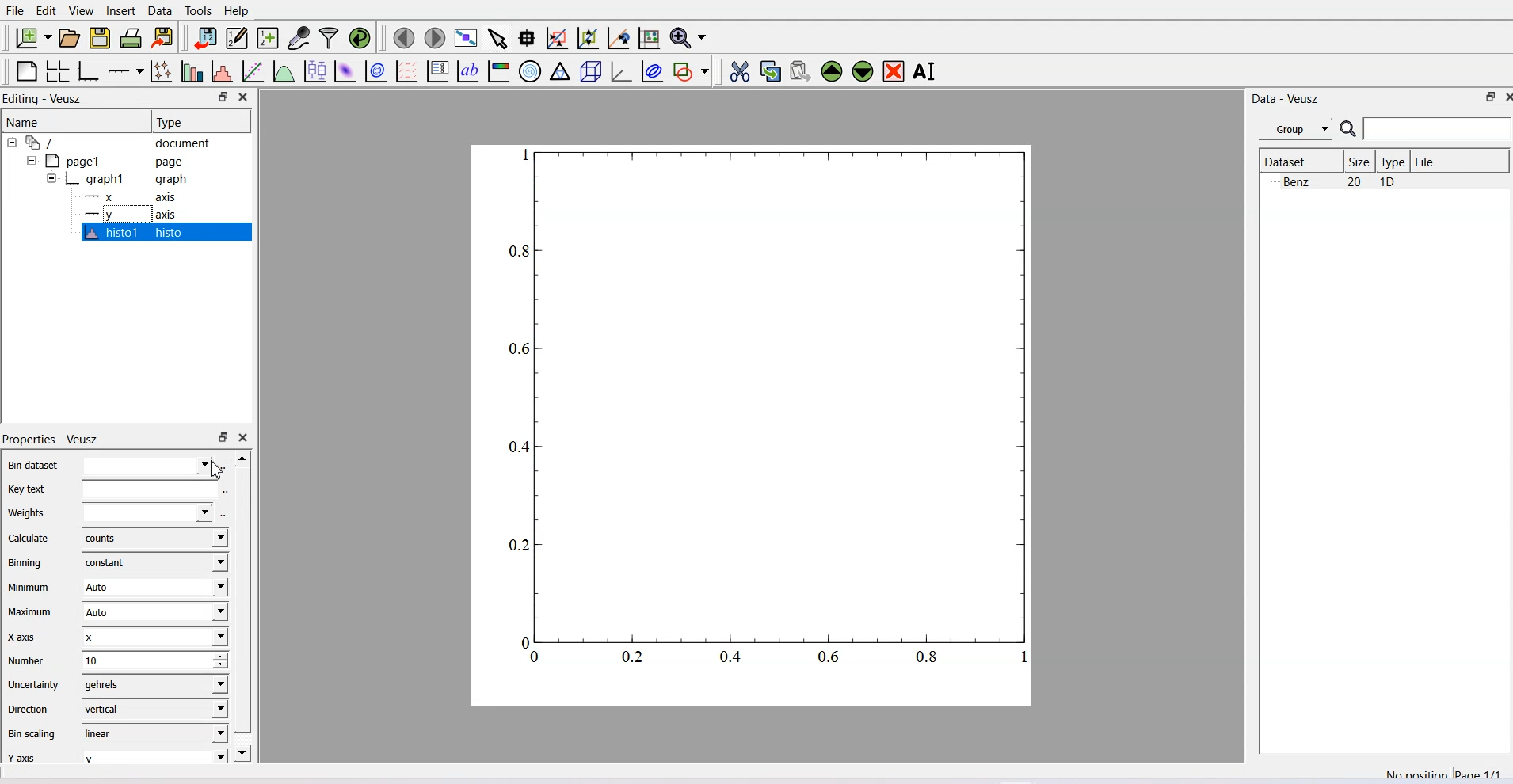  I want to click on Add shape to the plot, so click(690, 71).